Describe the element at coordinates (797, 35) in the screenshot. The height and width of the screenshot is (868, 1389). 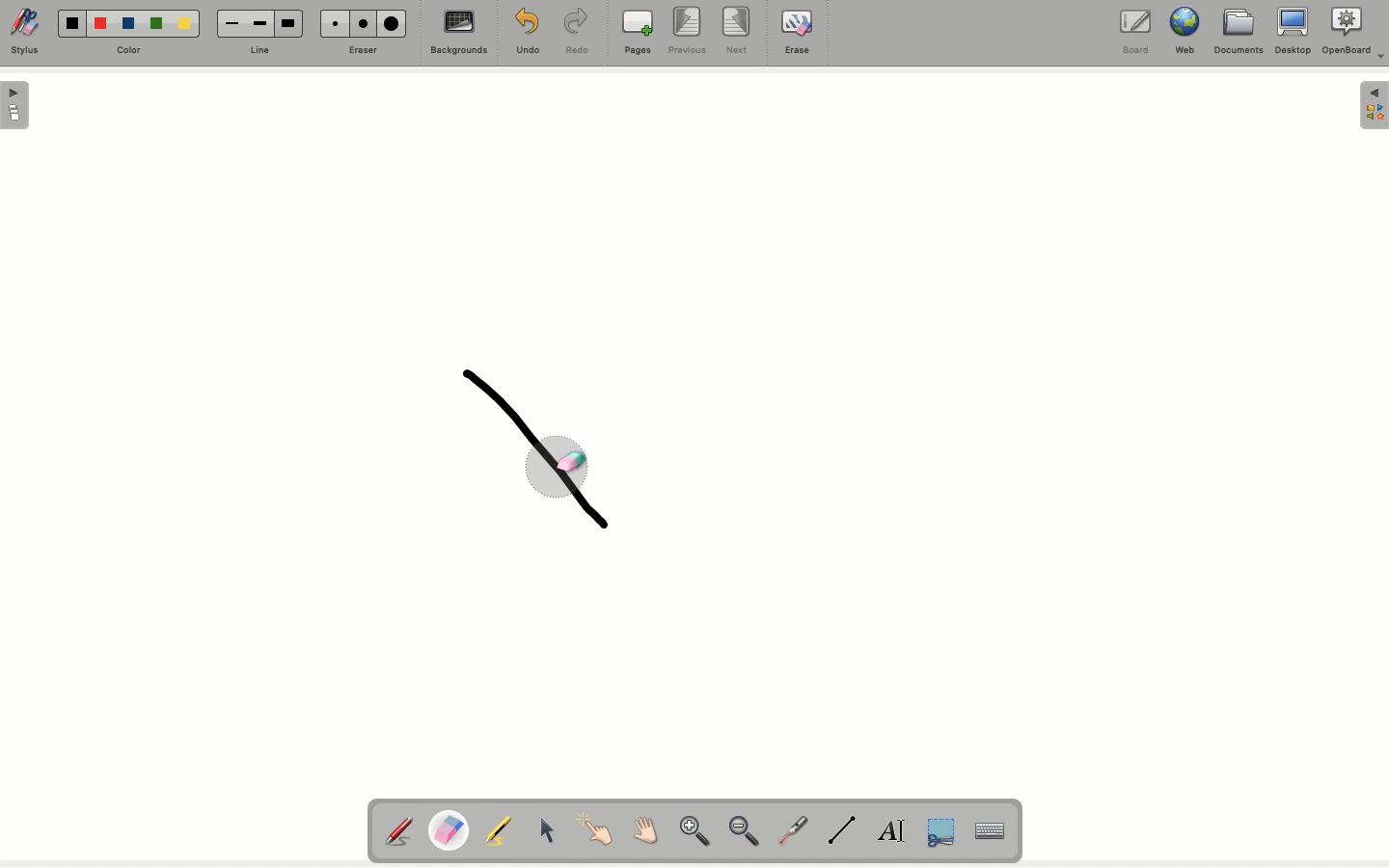
I see `Erase` at that location.